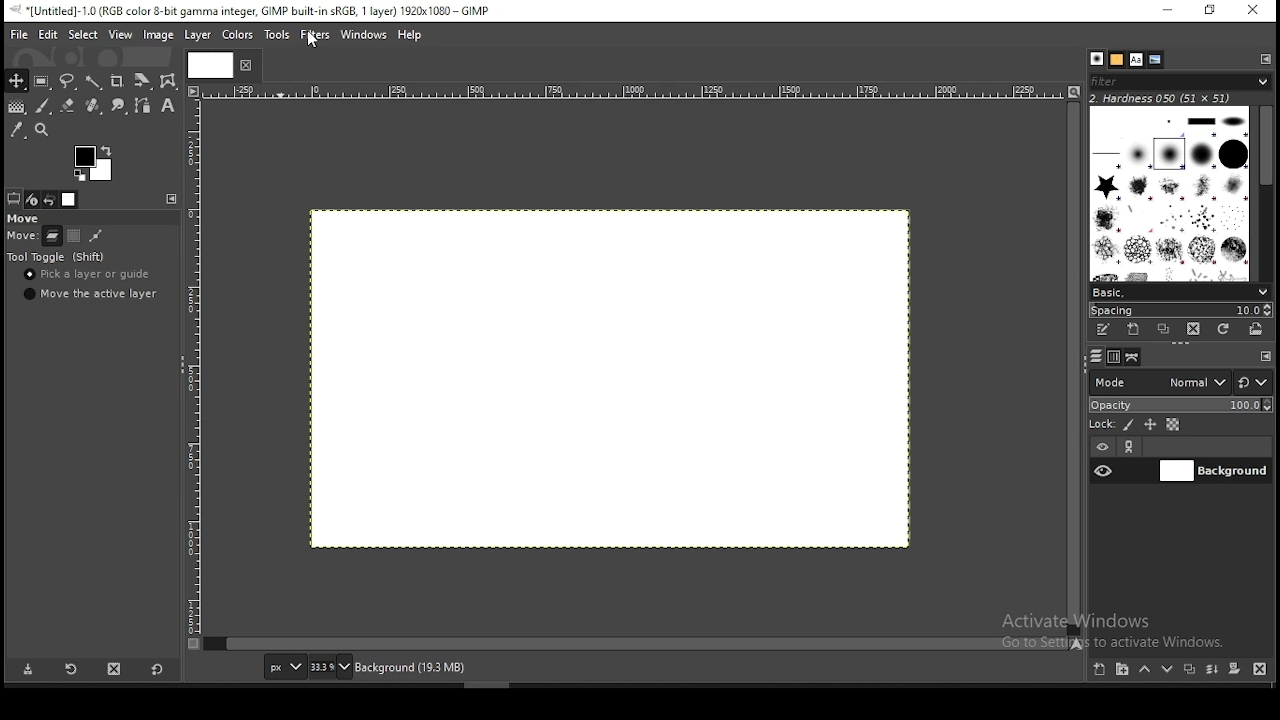  What do you see at coordinates (1236, 670) in the screenshot?
I see `add a mask` at bounding box center [1236, 670].